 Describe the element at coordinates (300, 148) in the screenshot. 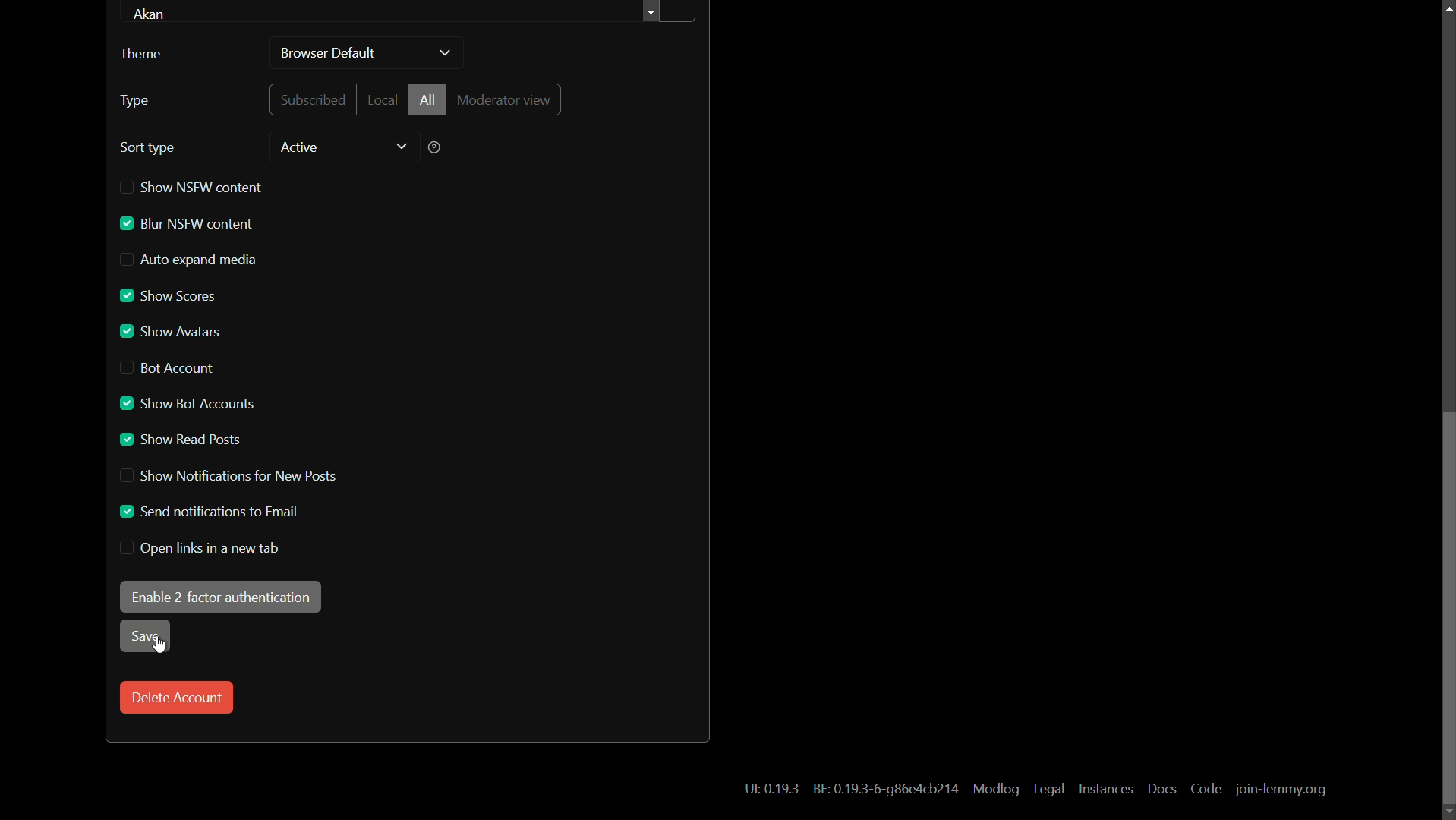

I see `active` at that location.